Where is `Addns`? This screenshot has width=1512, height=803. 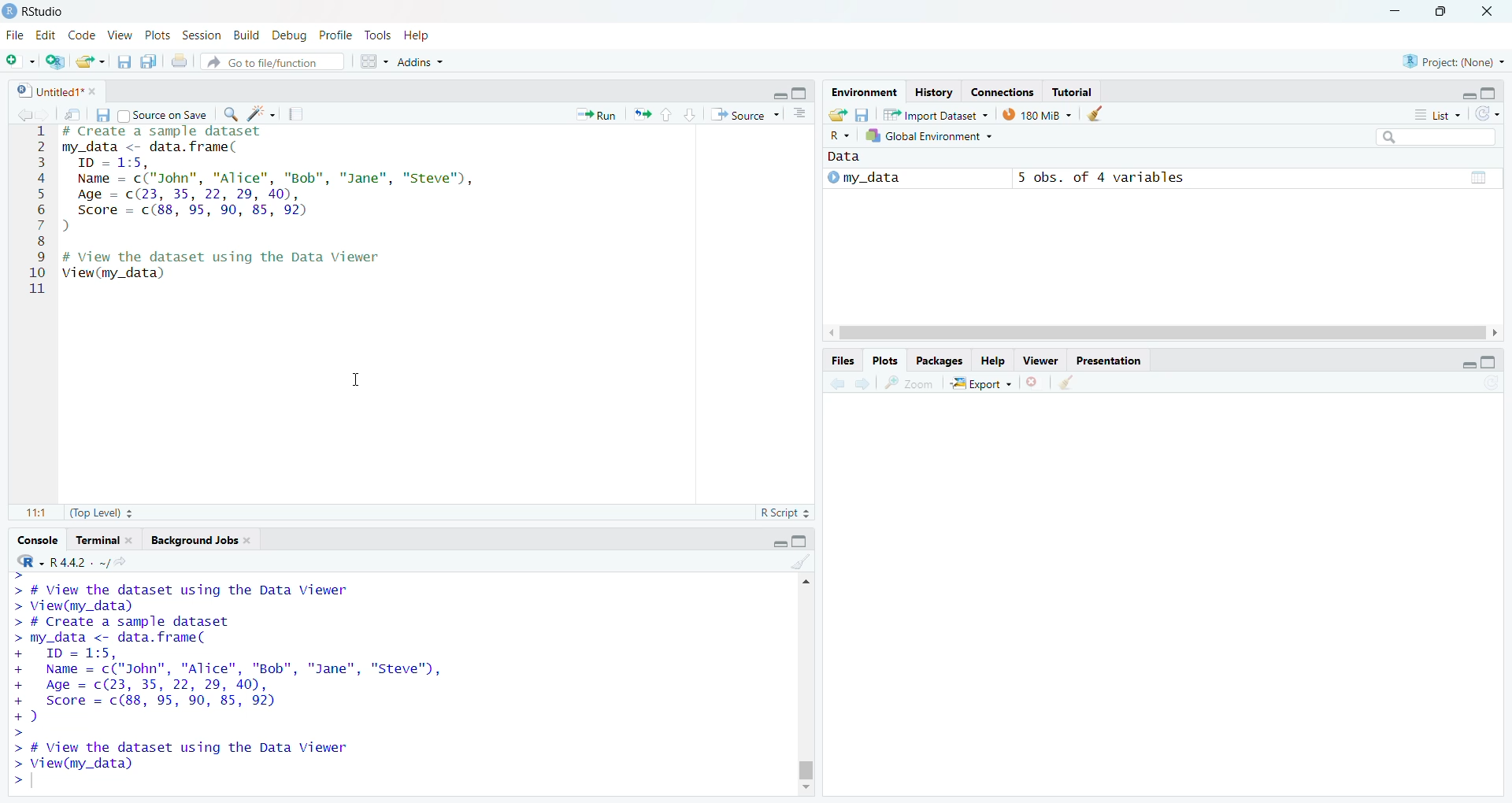 Addns is located at coordinates (424, 63).